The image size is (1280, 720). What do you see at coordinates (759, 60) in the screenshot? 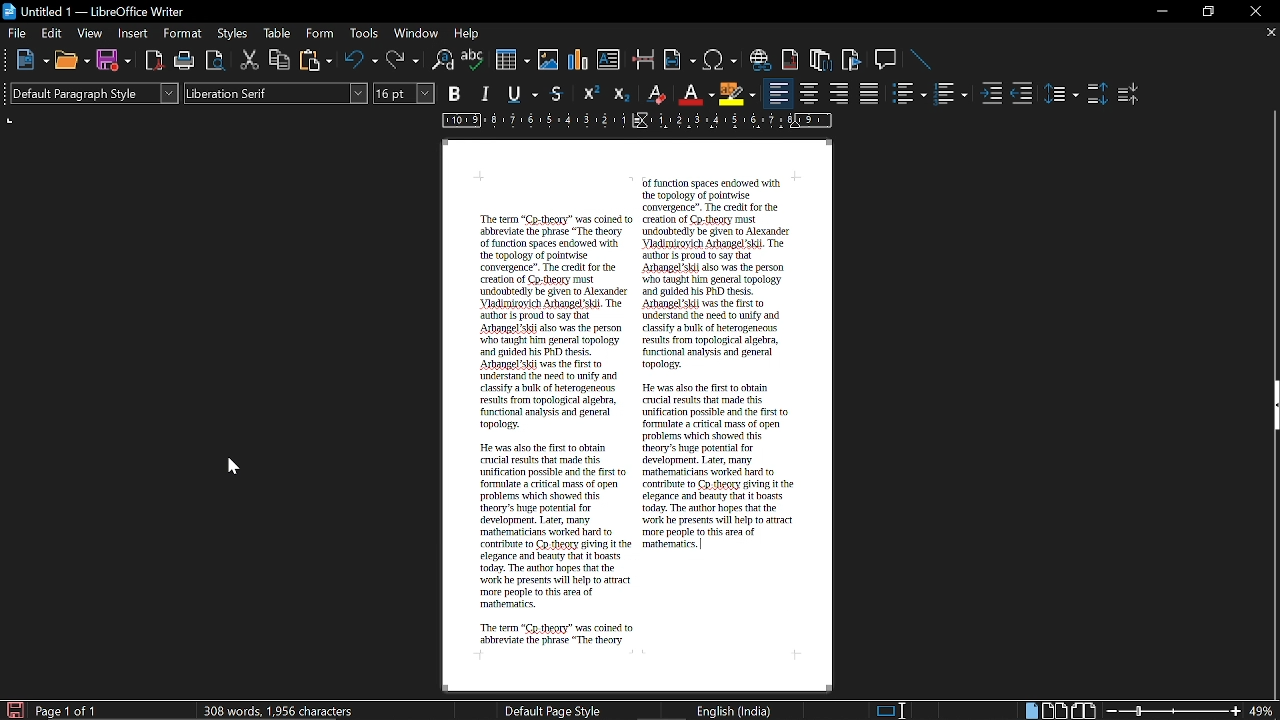
I see `Insert link` at bounding box center [759, 60].